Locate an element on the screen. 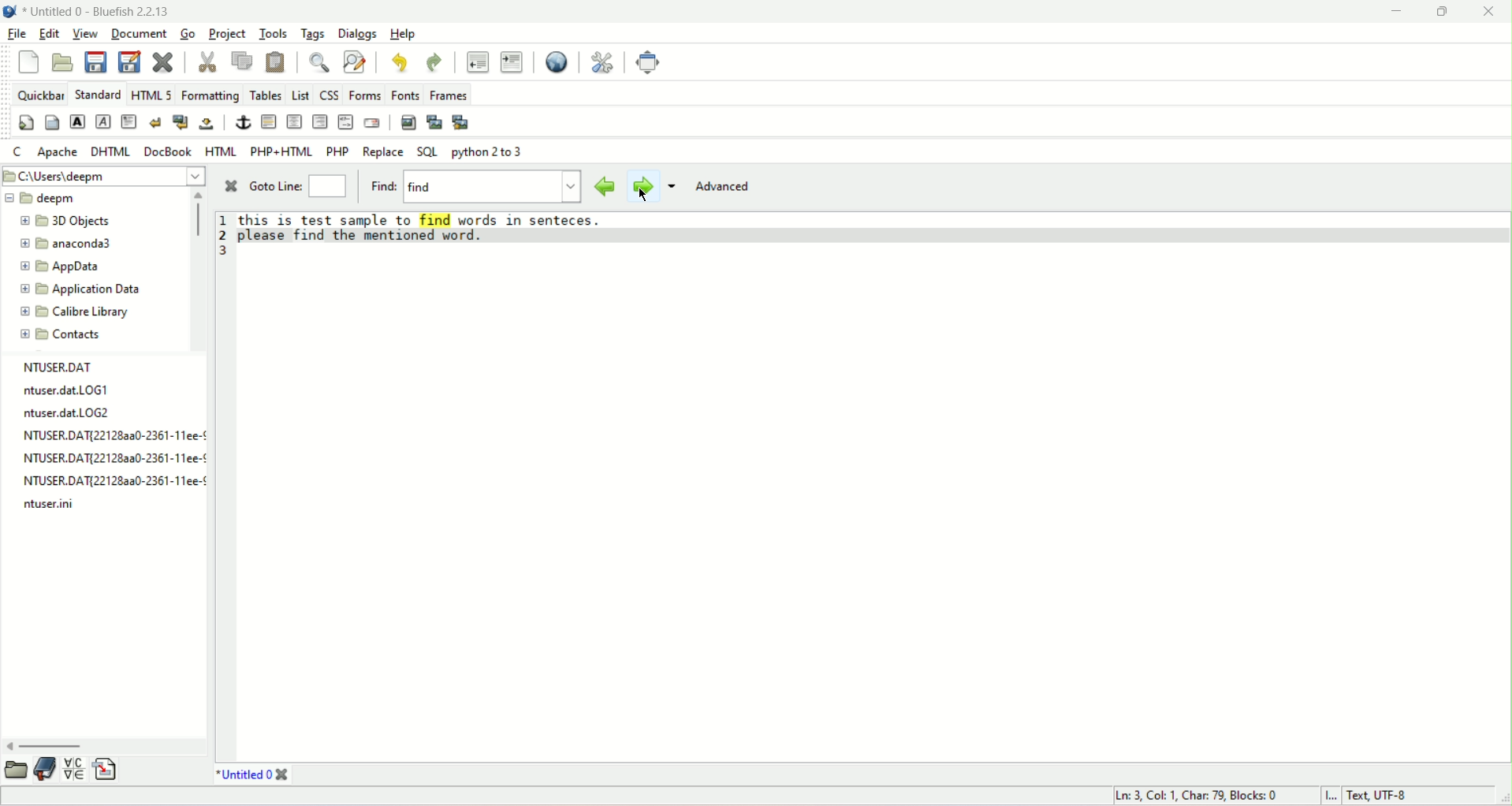 The height and width of the screenshot is (806, 1512). break is located at coordinates (156, 121).